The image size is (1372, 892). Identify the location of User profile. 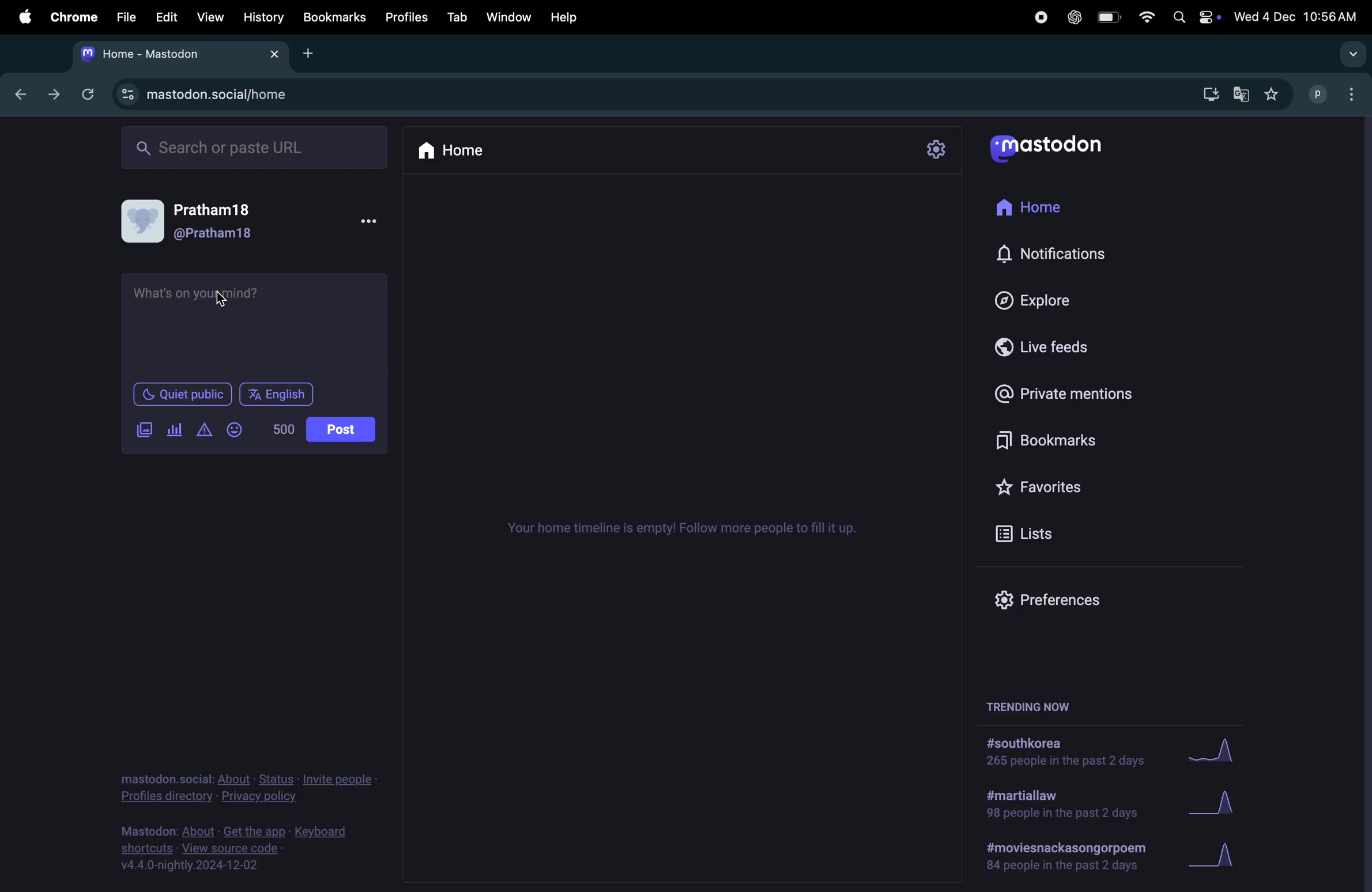
(202, 222).